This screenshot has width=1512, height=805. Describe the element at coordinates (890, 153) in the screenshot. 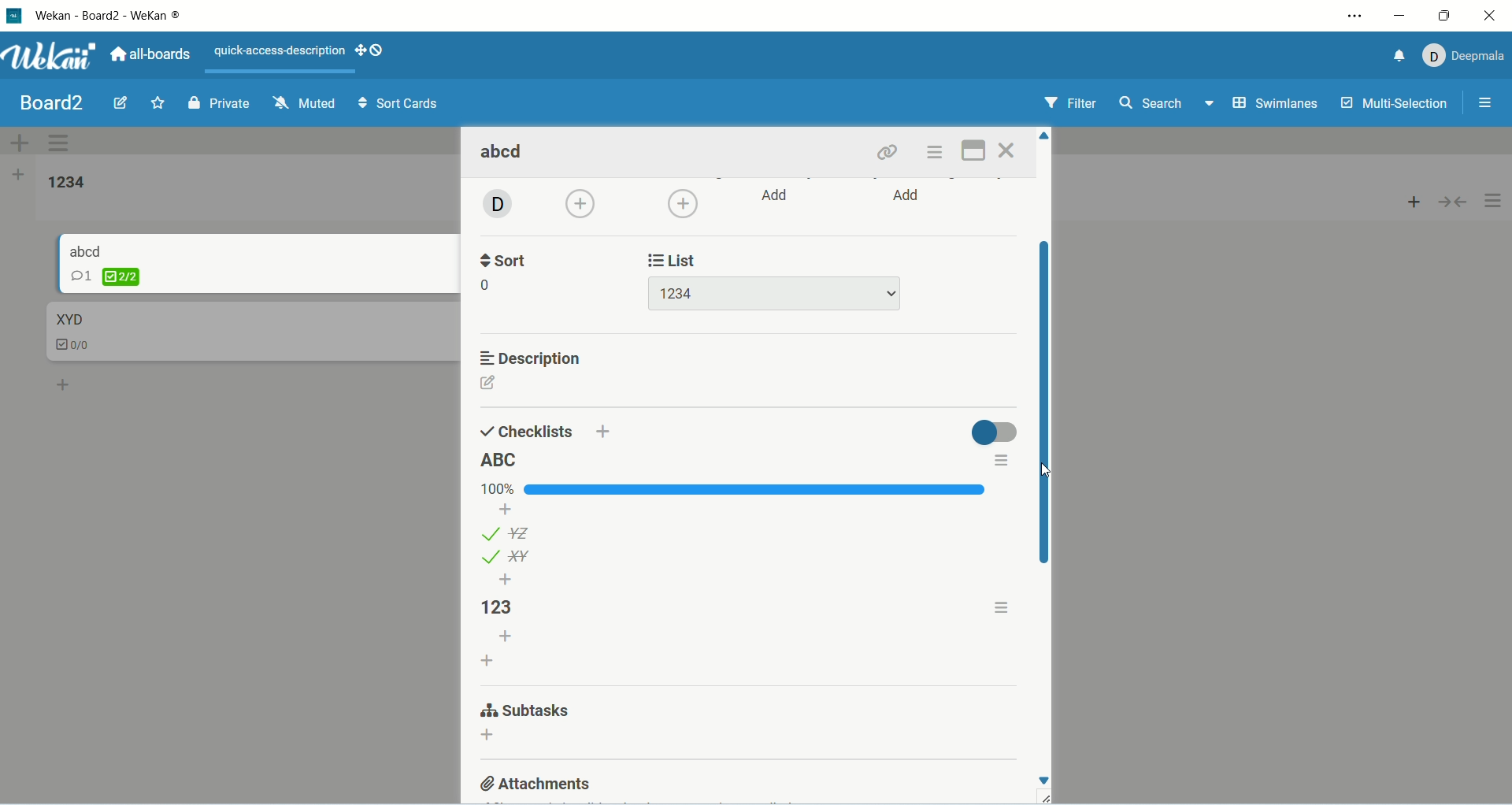

I see `link` at that location.